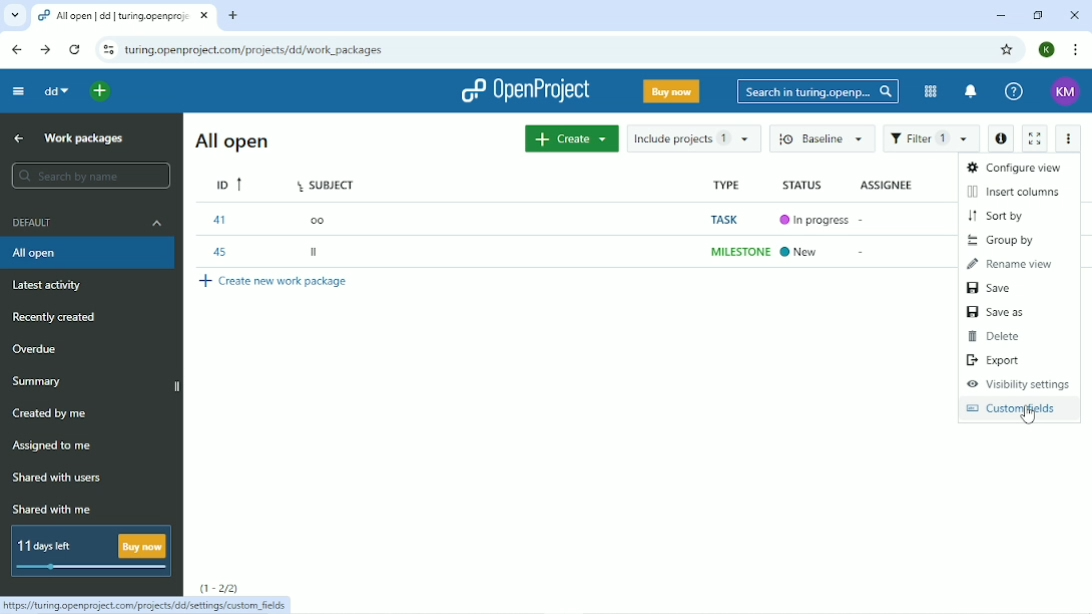 Image resolution: width=1092 pixels, height=614 pixels. I want to click on Account, so click(1063, 90).